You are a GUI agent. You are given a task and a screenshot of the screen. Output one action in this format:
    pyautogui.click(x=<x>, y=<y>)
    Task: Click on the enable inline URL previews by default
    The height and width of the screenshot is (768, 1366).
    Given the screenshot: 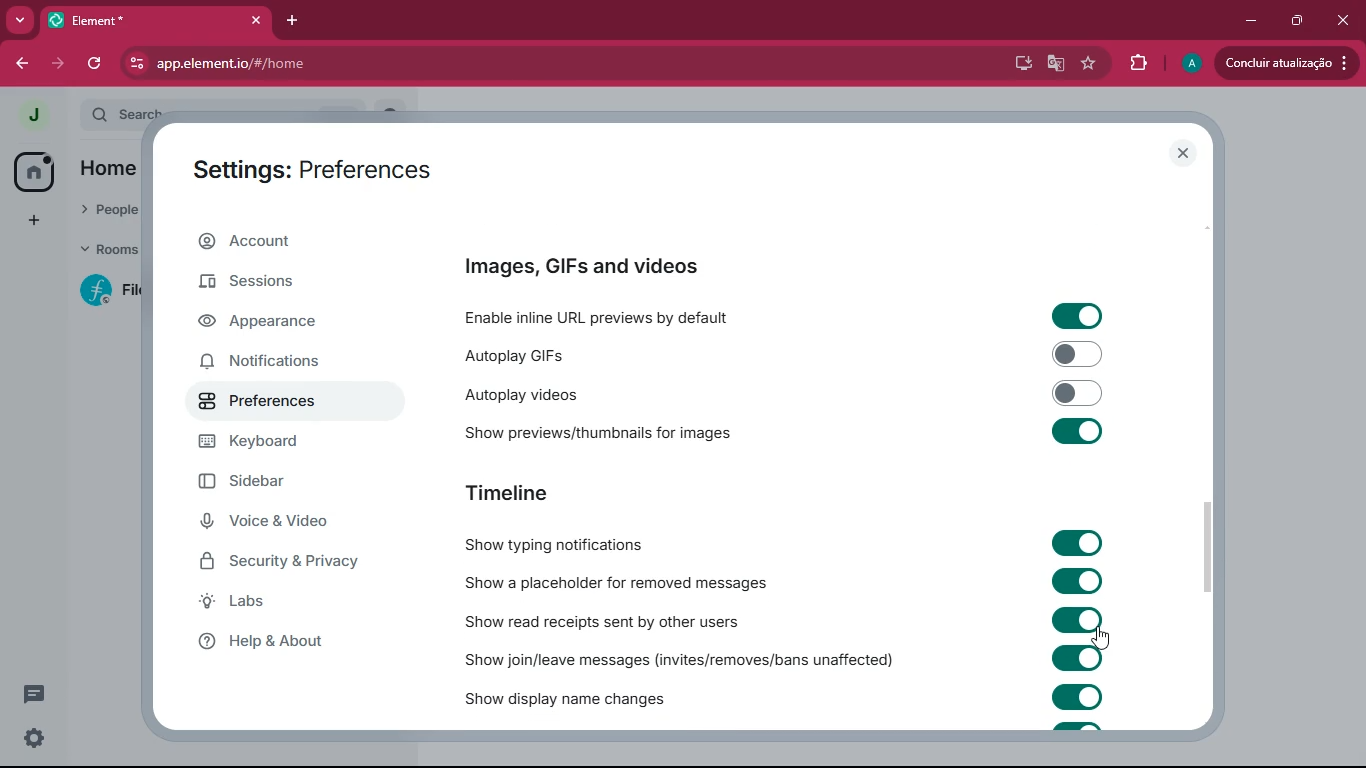 What is the action you would take?
    pyautogui.click(x=648, y=316)
    